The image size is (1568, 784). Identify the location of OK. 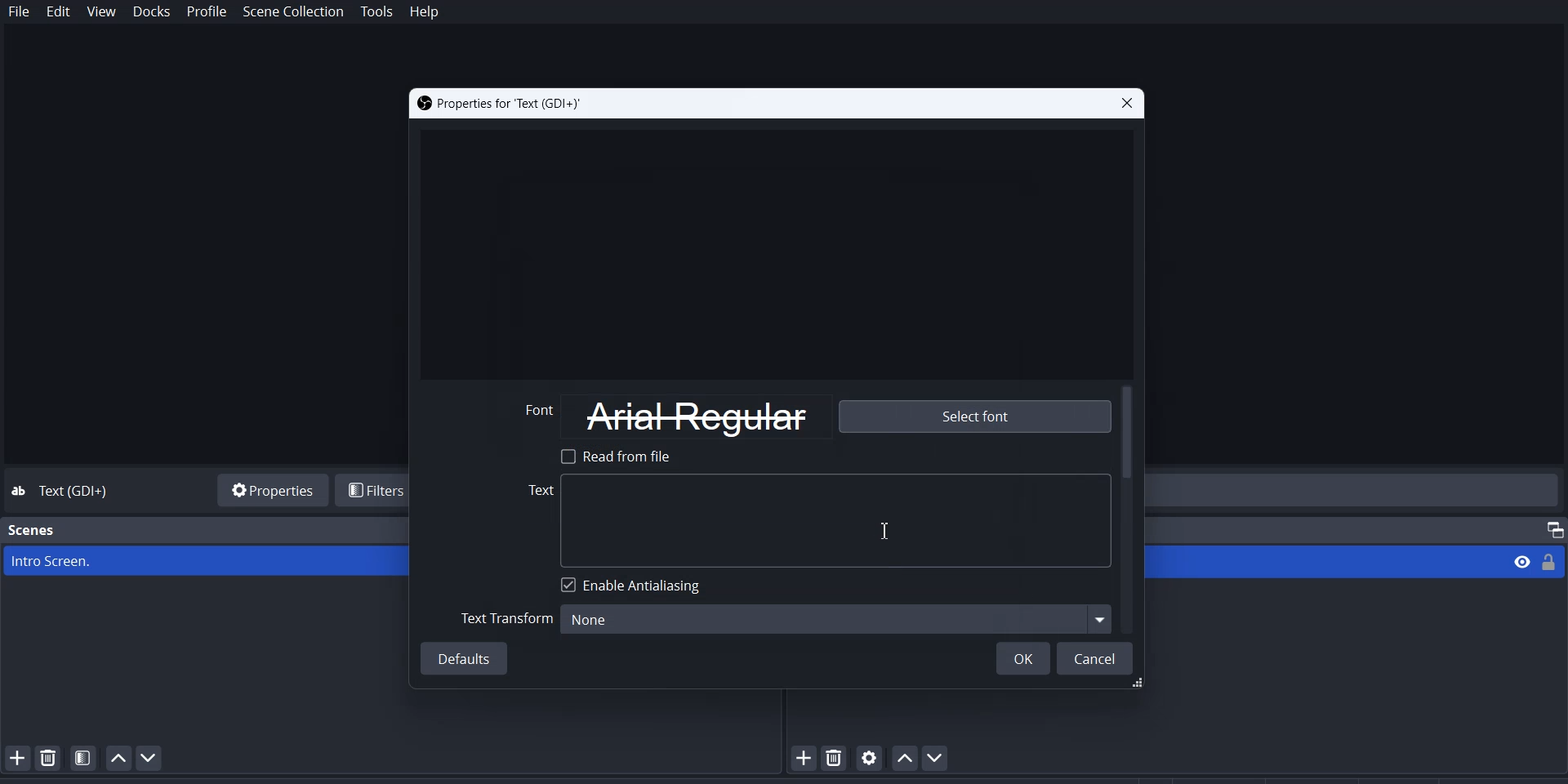
(1022, 657).